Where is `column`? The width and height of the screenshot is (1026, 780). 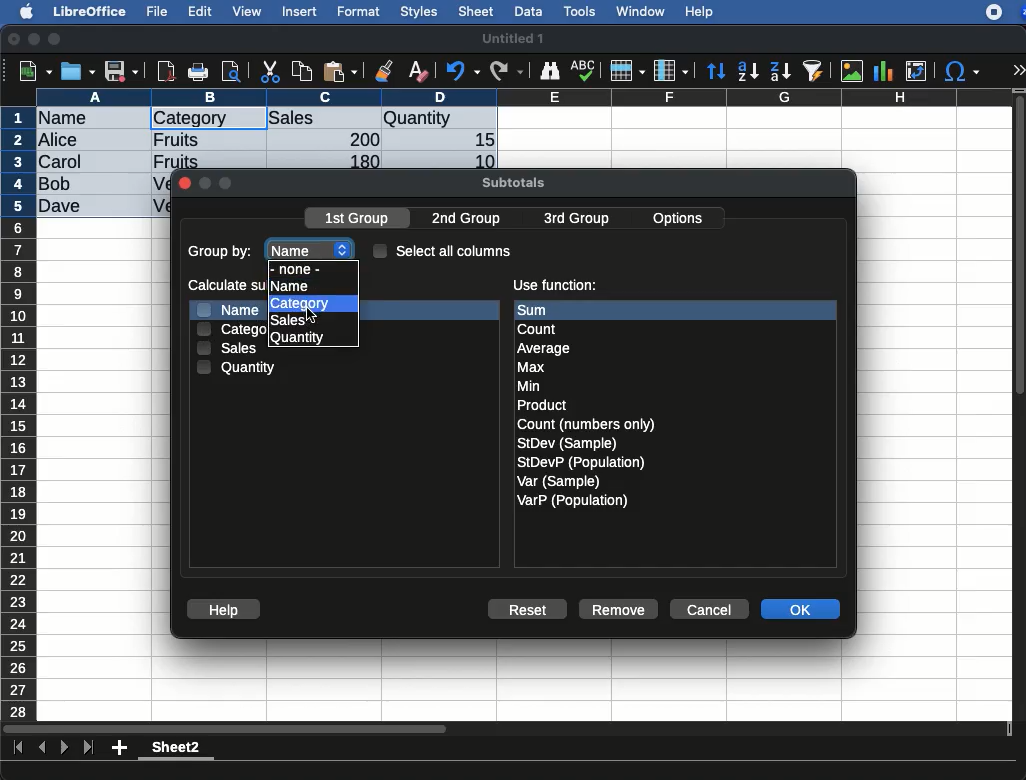
column is located at coordinates (525, 97).